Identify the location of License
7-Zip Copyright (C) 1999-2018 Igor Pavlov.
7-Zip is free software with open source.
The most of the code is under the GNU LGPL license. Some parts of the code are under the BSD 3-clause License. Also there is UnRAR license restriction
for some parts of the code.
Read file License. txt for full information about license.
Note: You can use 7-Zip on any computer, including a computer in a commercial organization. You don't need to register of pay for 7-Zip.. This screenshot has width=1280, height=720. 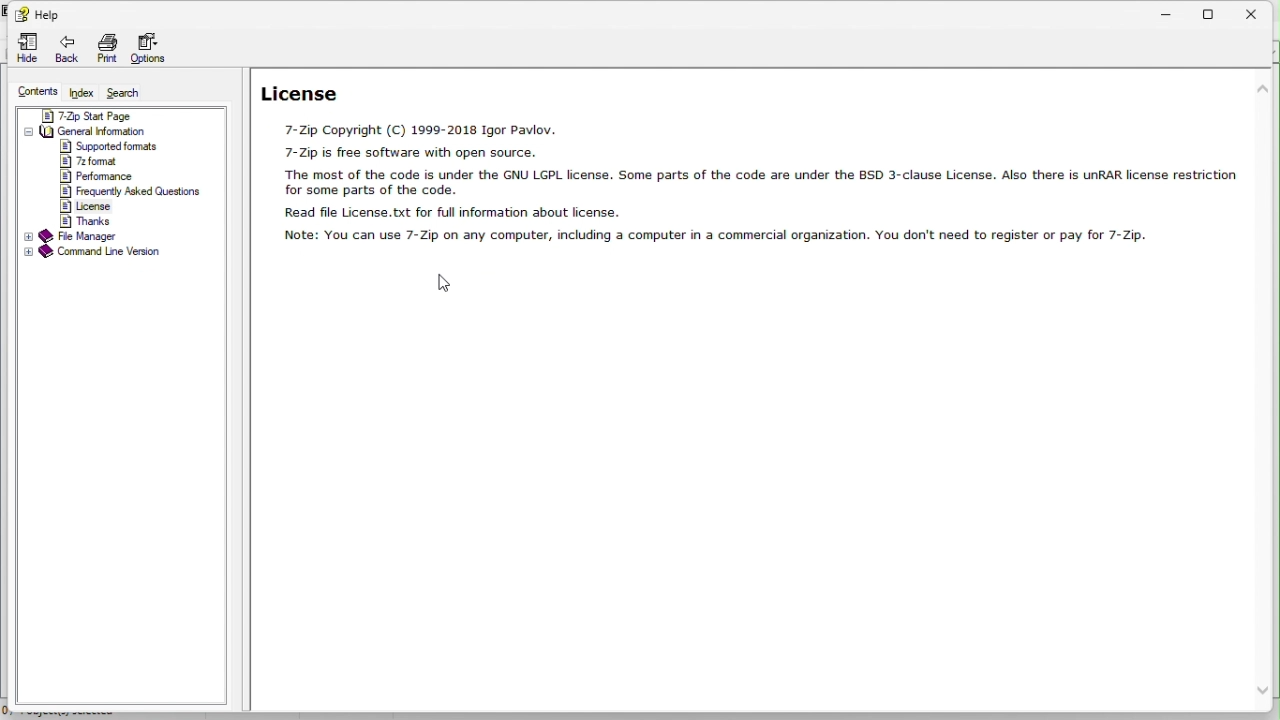
(743, 161).